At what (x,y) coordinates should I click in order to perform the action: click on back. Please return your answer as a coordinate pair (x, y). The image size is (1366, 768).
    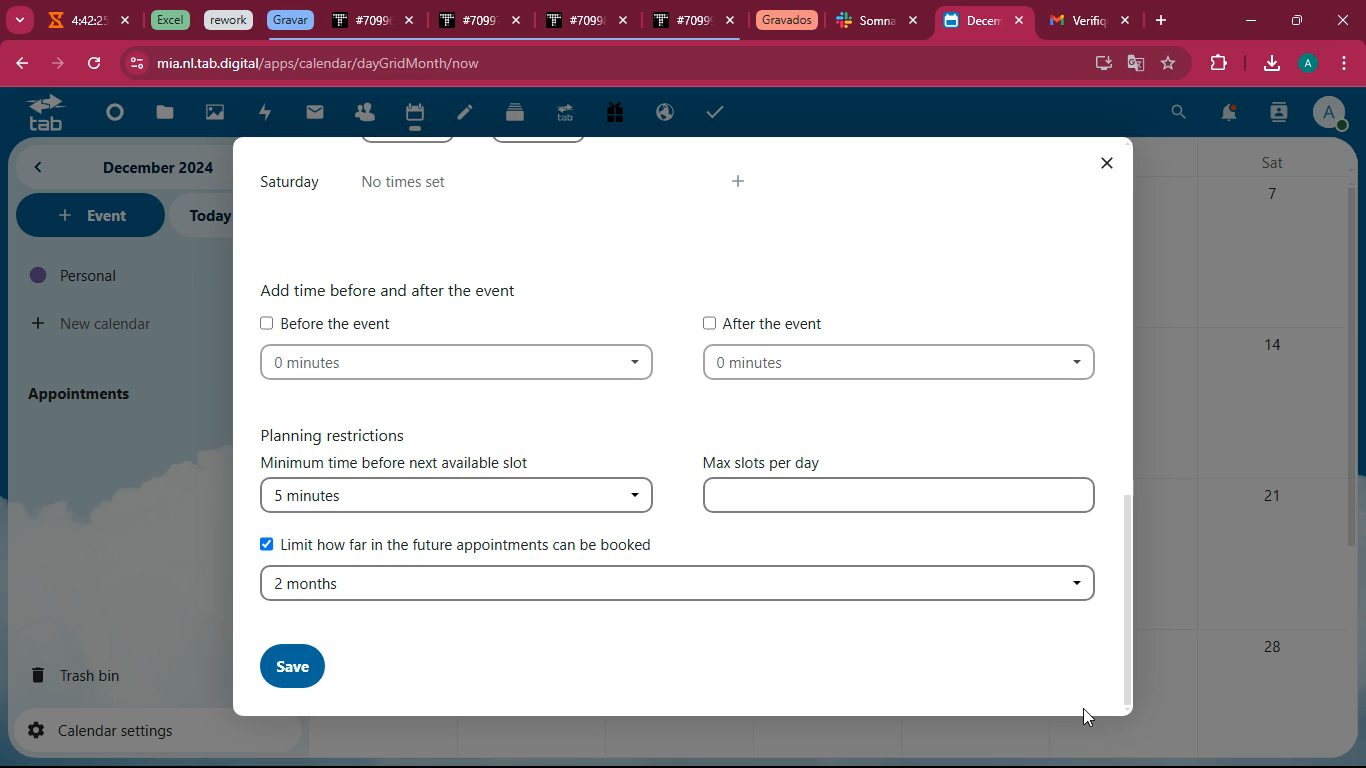
    Looking at the image, I should click on (20, 65).